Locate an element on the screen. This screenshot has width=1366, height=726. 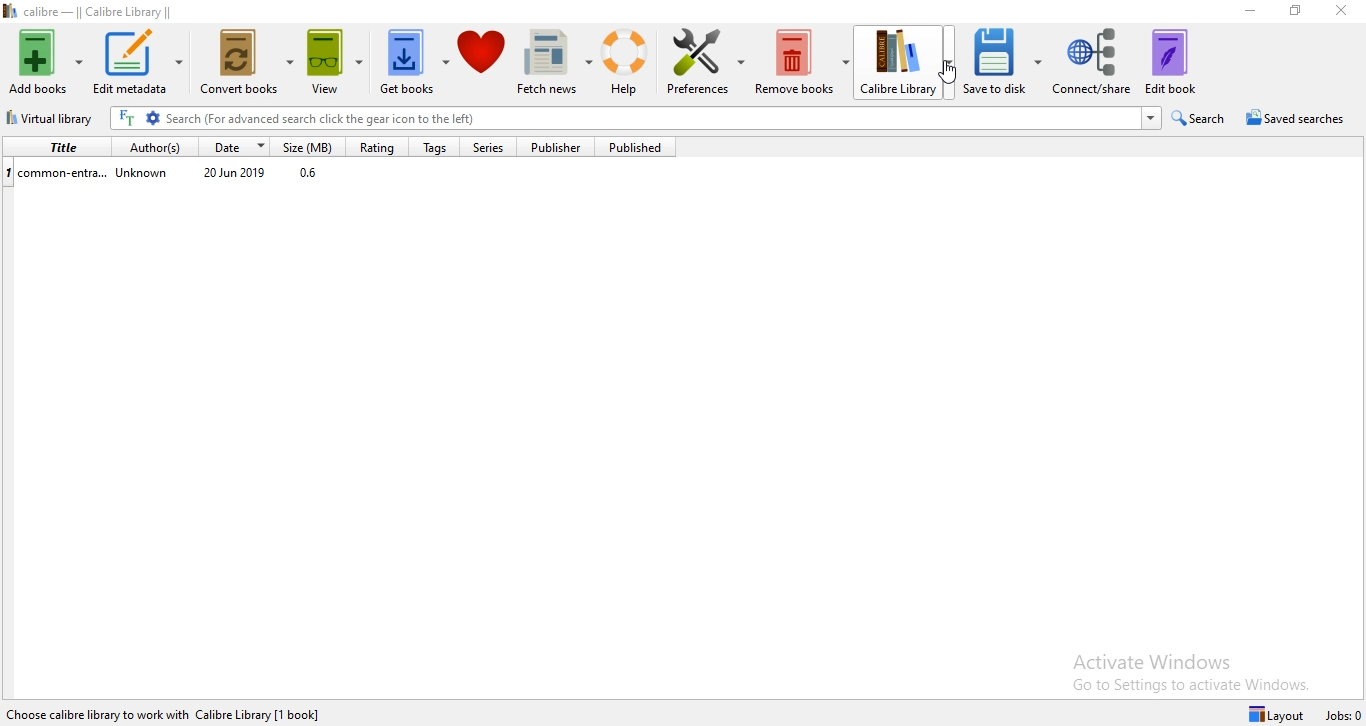
Remove books is located at coordinates (802, 65).